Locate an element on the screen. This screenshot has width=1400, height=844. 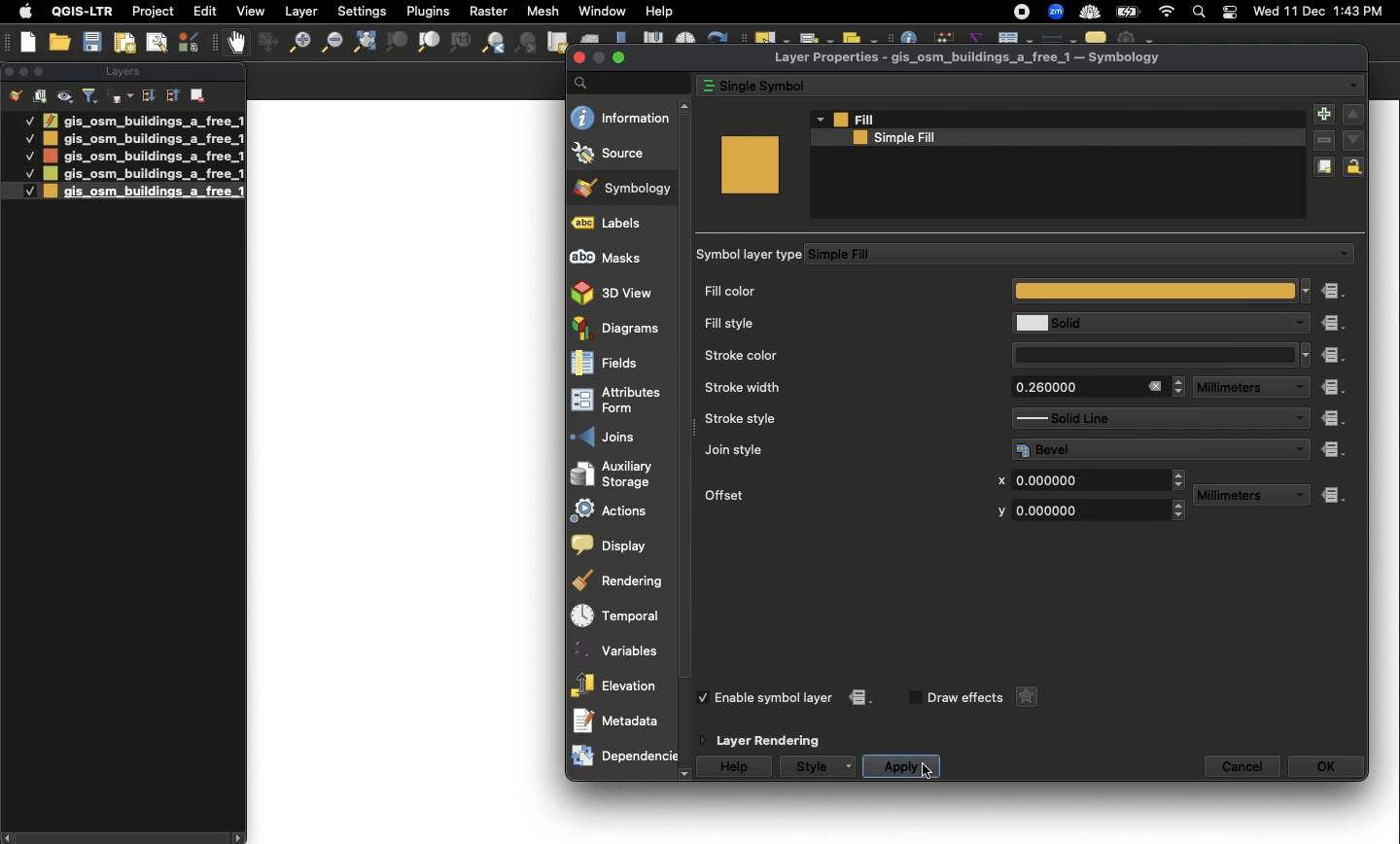
Layer Properties - gis_osm_buildings_a_free_1 — Symbology is located at coordinates (970, 58).